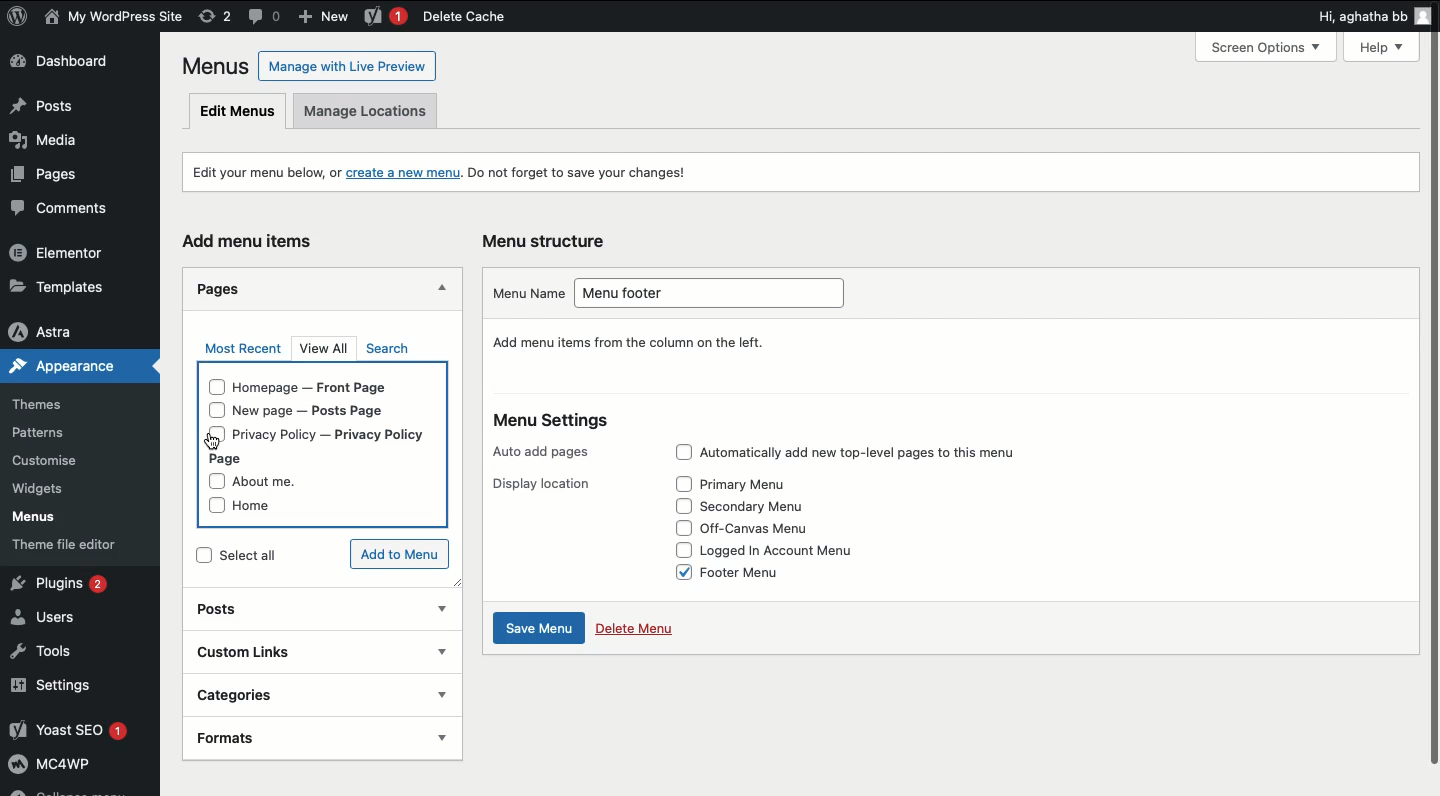  Describe the element at coordinates (637, 631) in the screenshot. I see `Delete menu` at that location.